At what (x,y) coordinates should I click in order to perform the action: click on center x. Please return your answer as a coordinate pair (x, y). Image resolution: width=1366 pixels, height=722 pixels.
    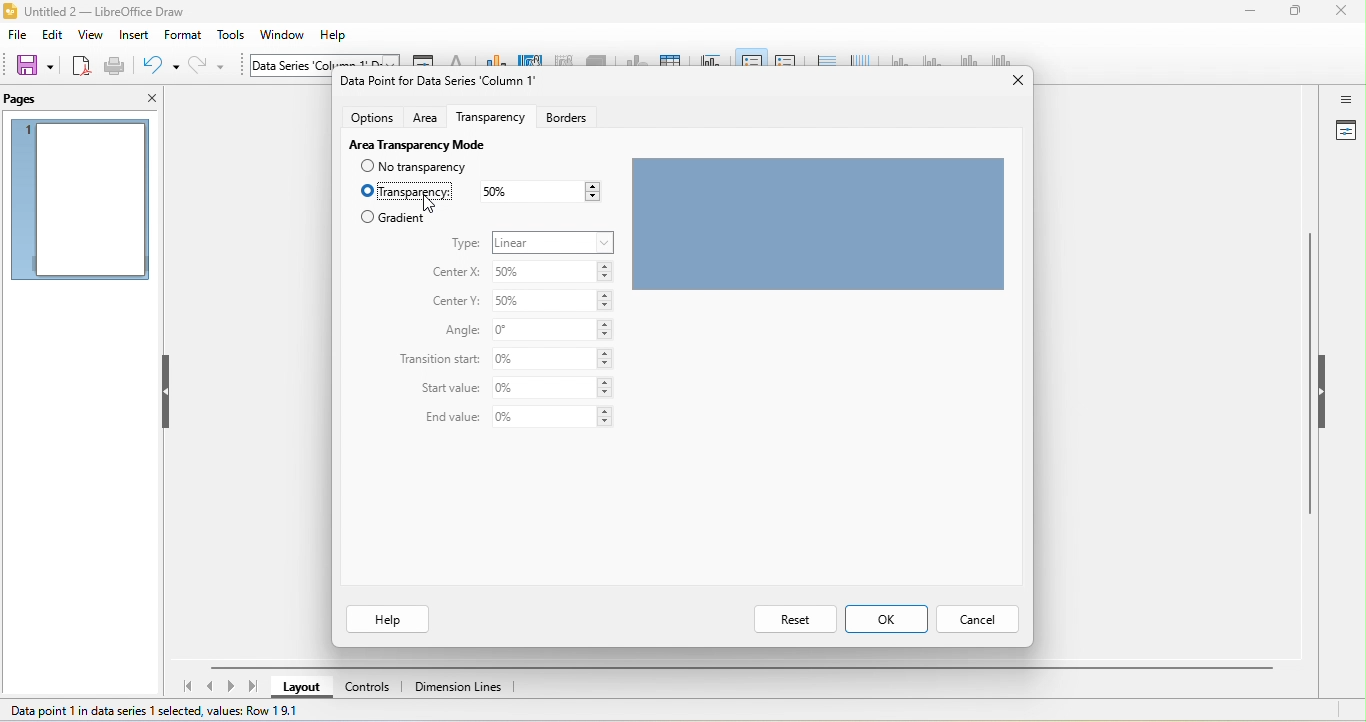
    Looking at the image, I should click on (456, 273).